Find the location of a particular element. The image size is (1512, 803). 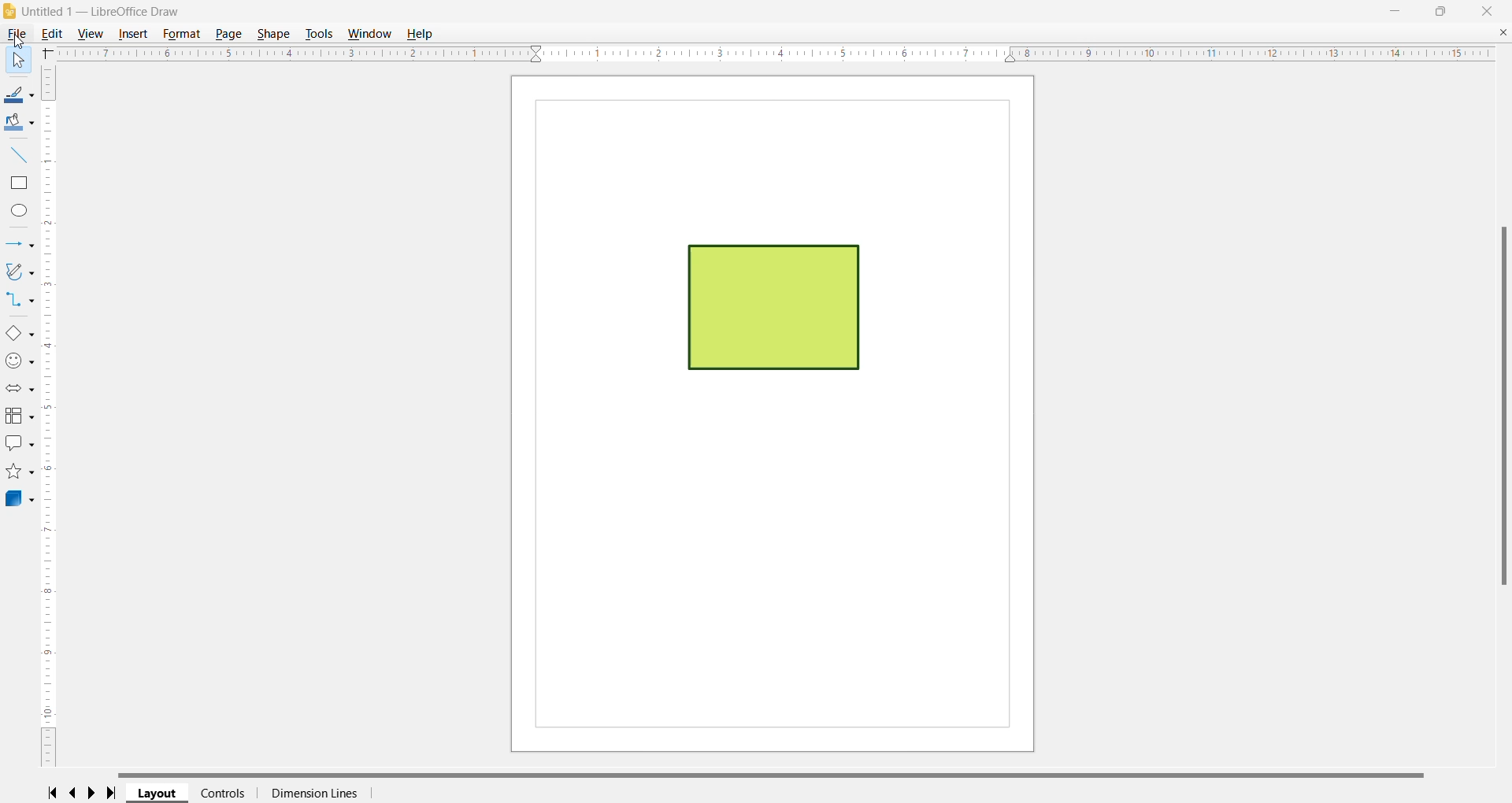

Window is located at coordinates (371, 34).